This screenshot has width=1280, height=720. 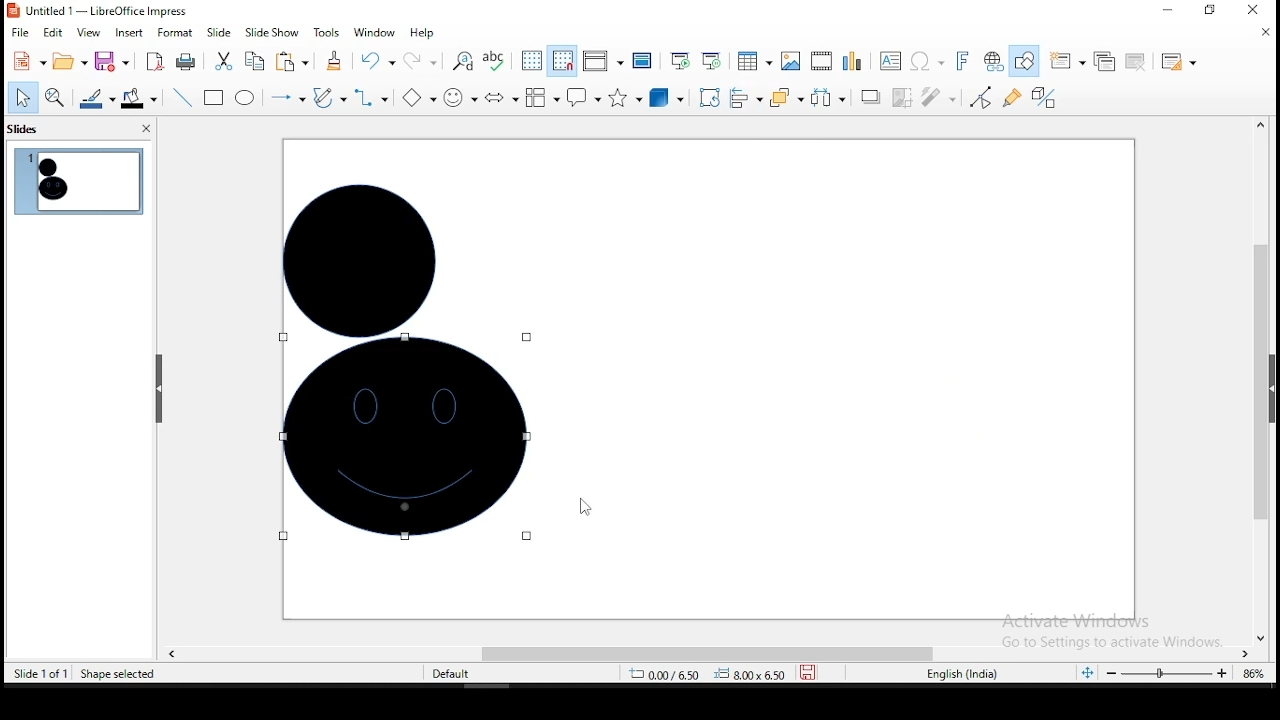 I want to click on start from first slide, so click(x=680, y=61).